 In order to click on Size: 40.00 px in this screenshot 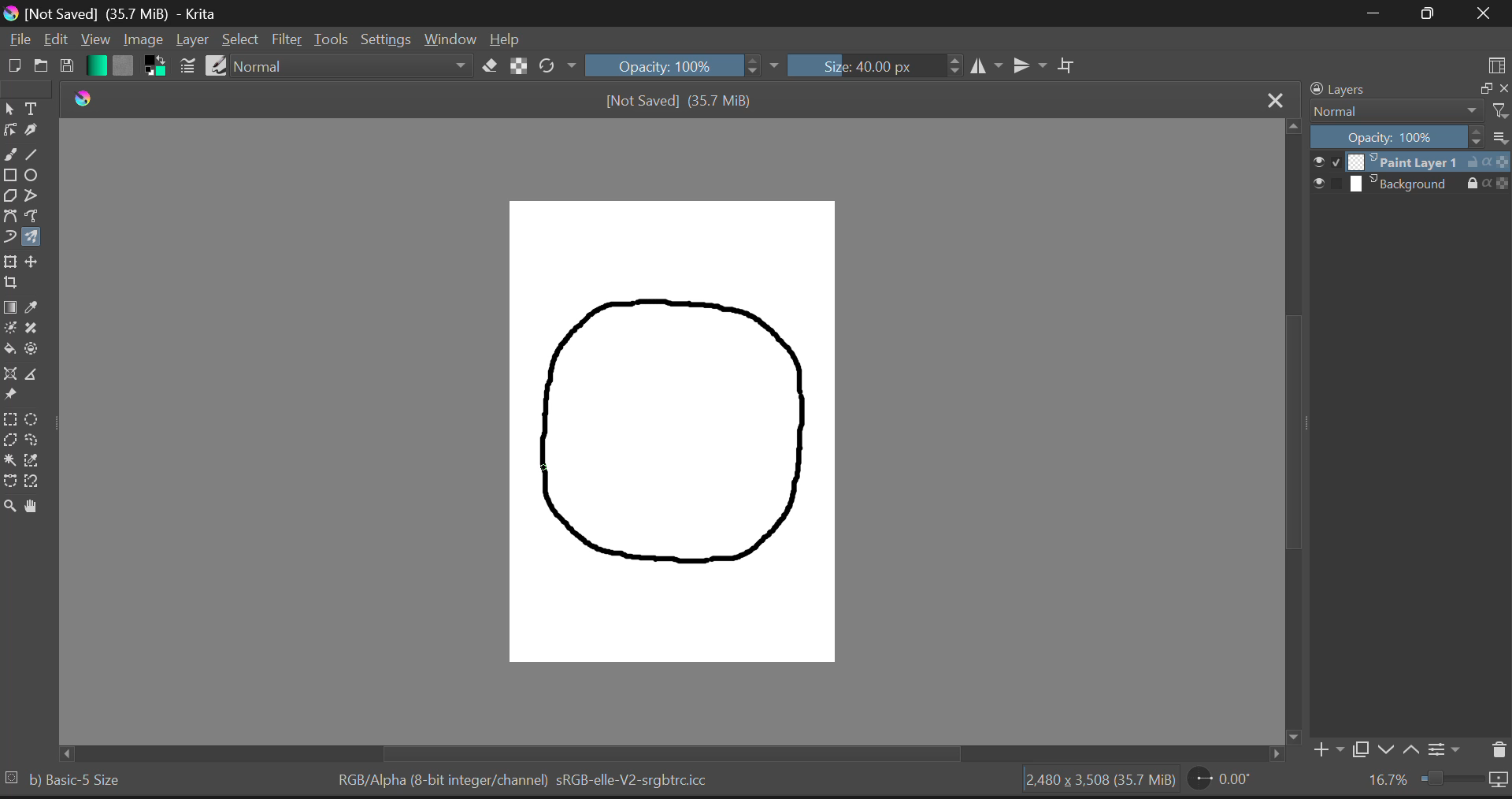, I will do `click(875, 65)`.